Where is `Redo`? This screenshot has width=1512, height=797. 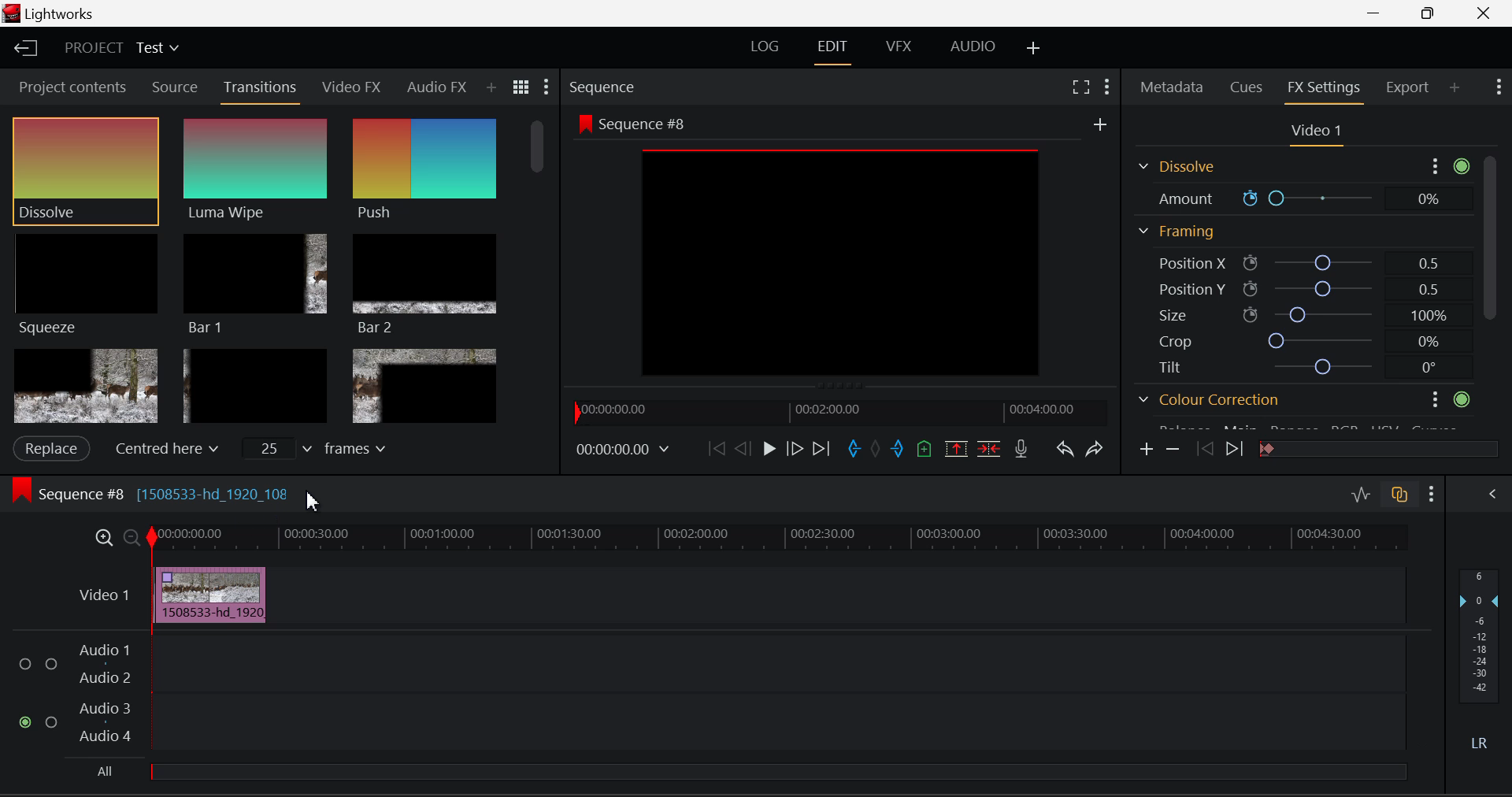
Redo is located at coordinates (1096, 450).